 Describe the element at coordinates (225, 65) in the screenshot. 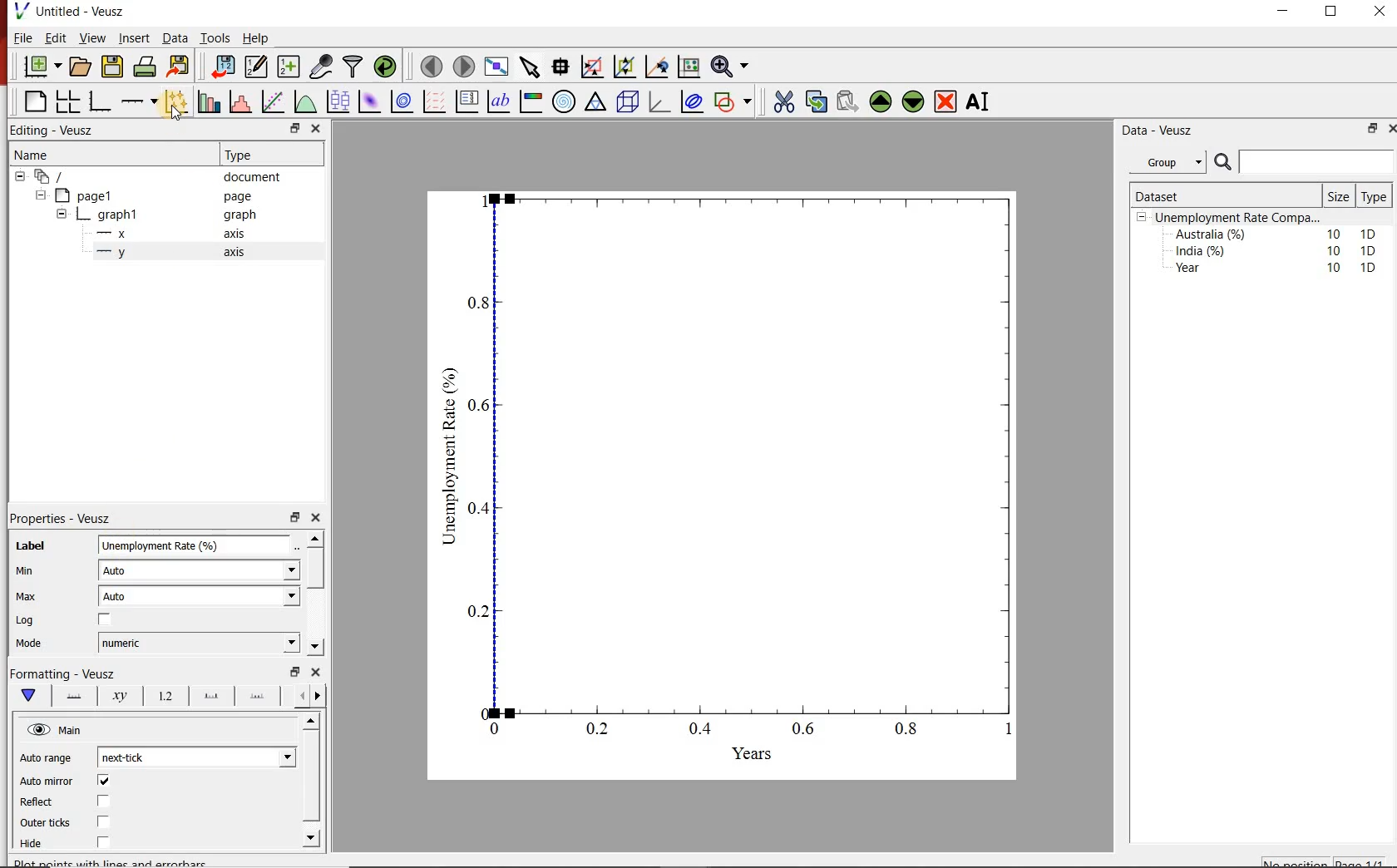

I see `import document` at that location.